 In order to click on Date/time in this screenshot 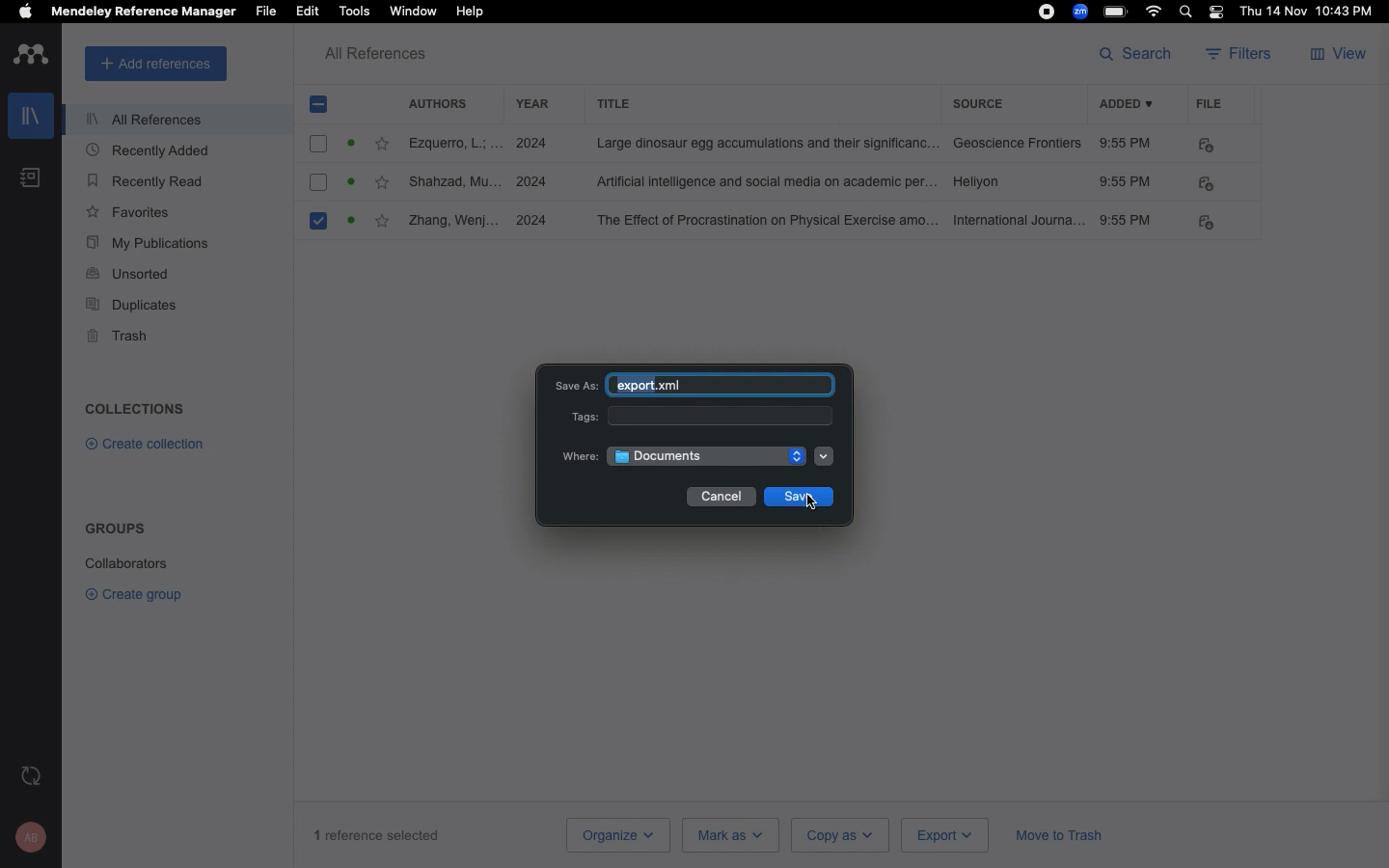, I will do `click(1312, 13)`.